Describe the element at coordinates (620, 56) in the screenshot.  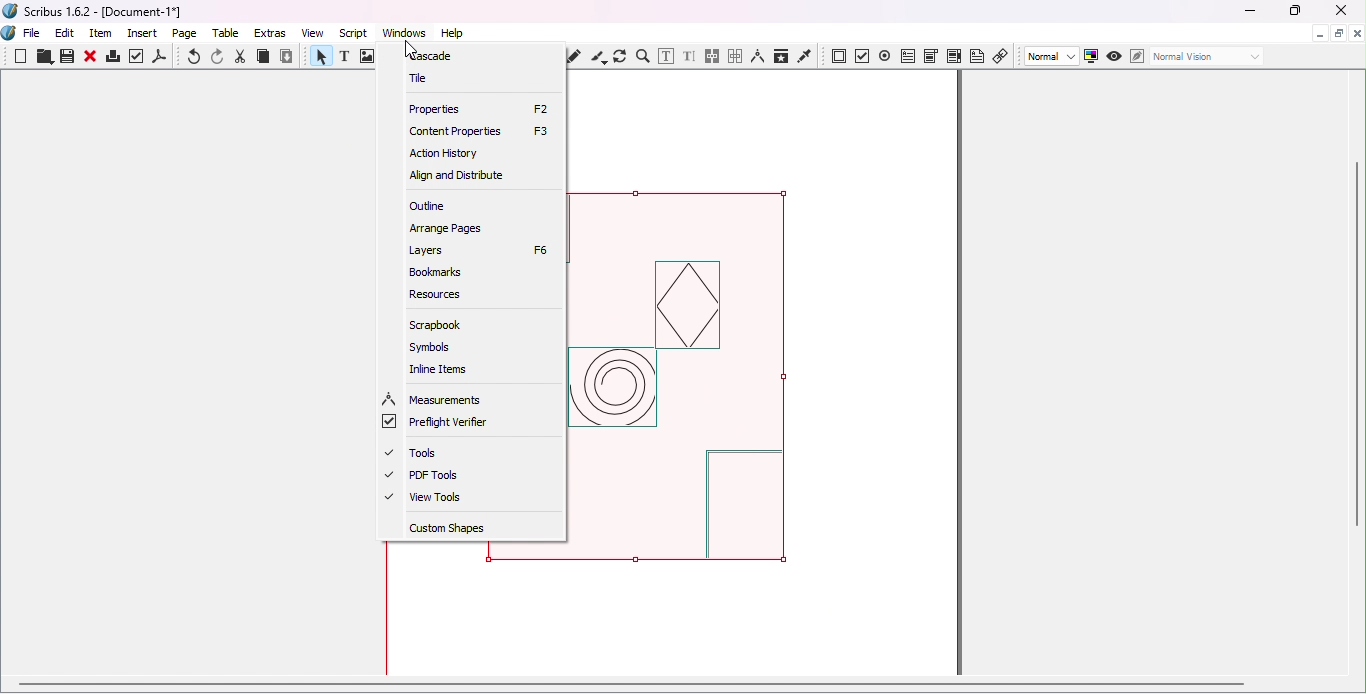
I see `Rotate item` at that location.